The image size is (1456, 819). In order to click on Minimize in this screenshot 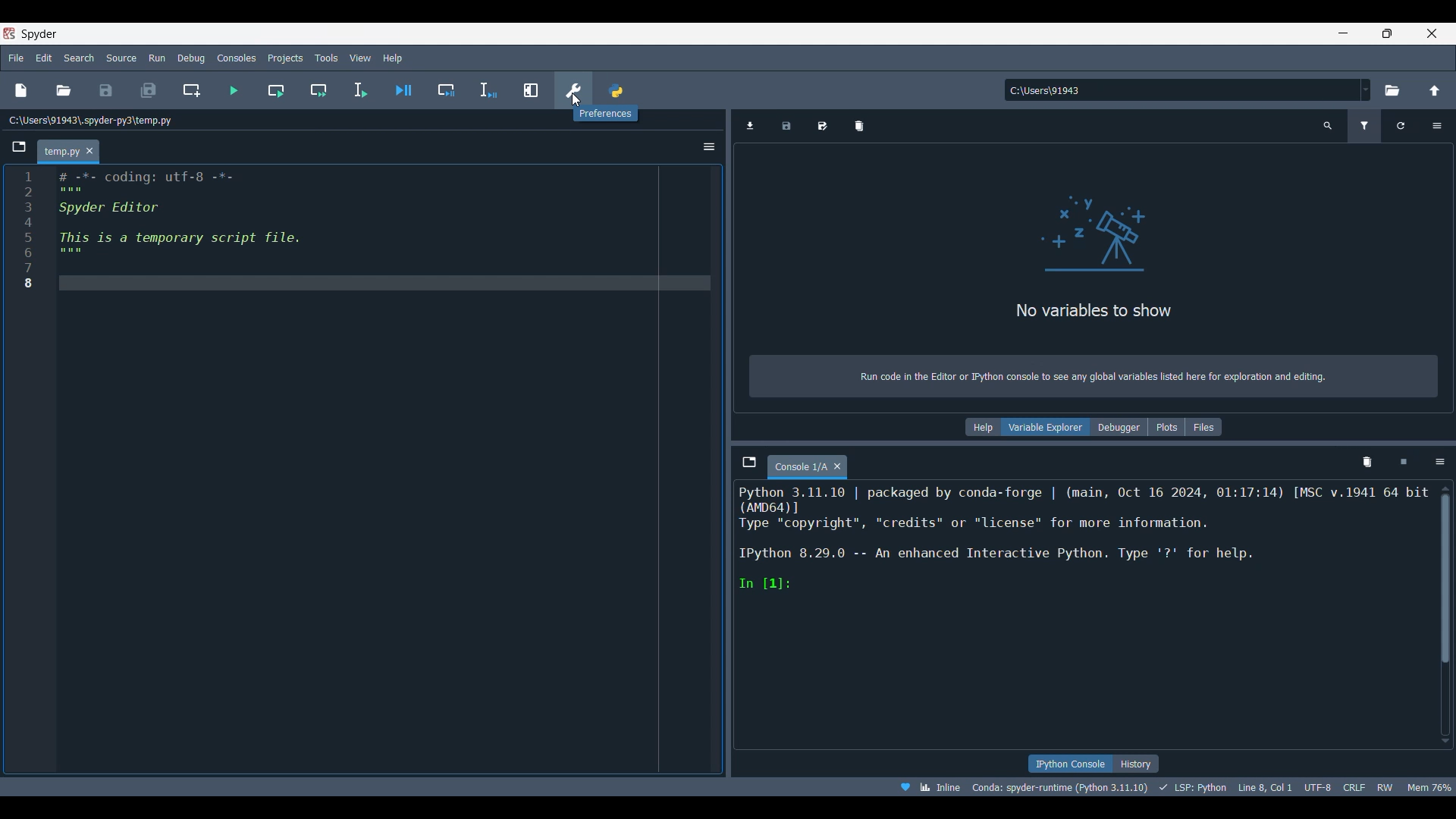, I will do `click(1344, 33)`.